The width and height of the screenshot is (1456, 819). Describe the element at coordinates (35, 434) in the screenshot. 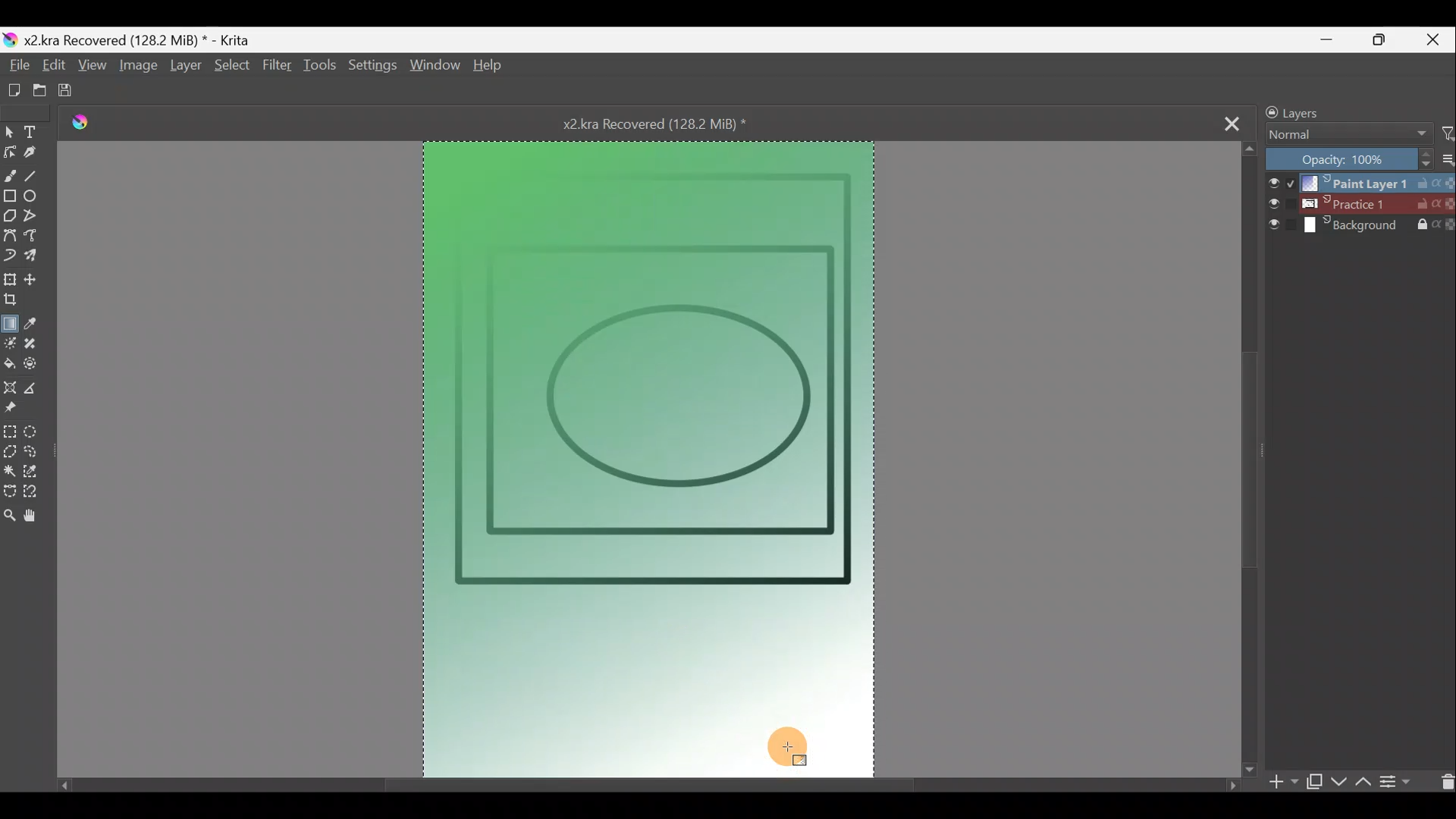

I see `Elliptical selection tool` at that location.